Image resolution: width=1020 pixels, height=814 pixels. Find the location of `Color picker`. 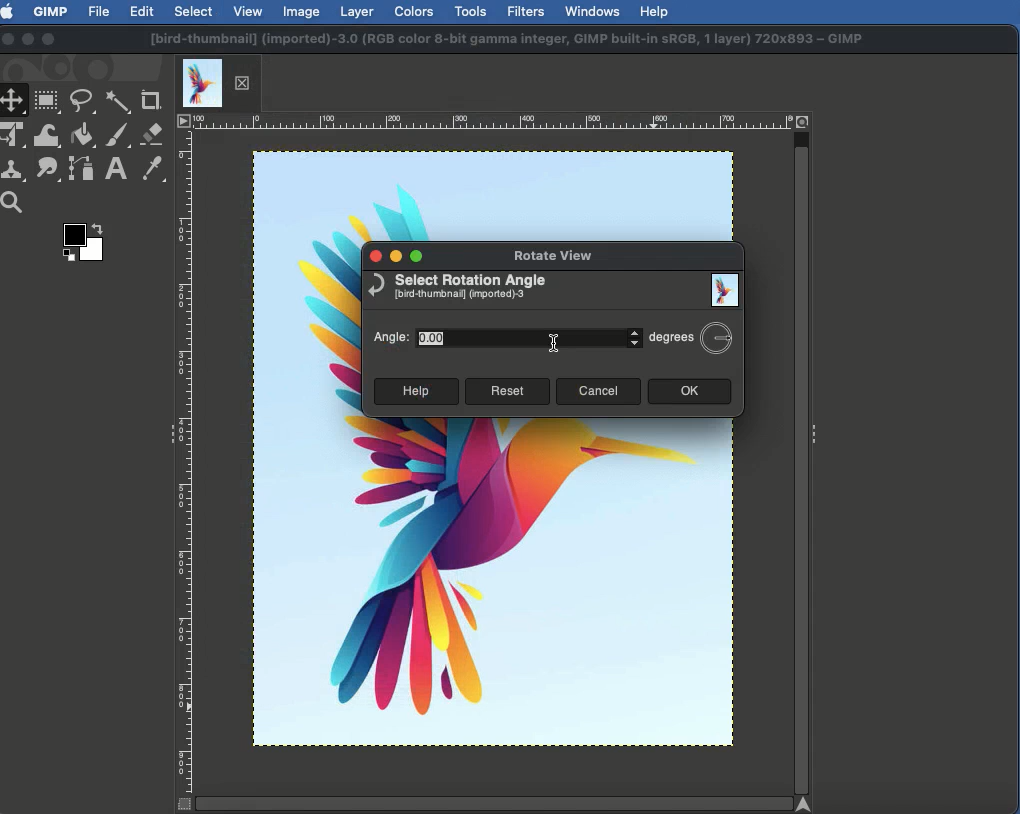

Color picker is located at coordinates (151, 170).